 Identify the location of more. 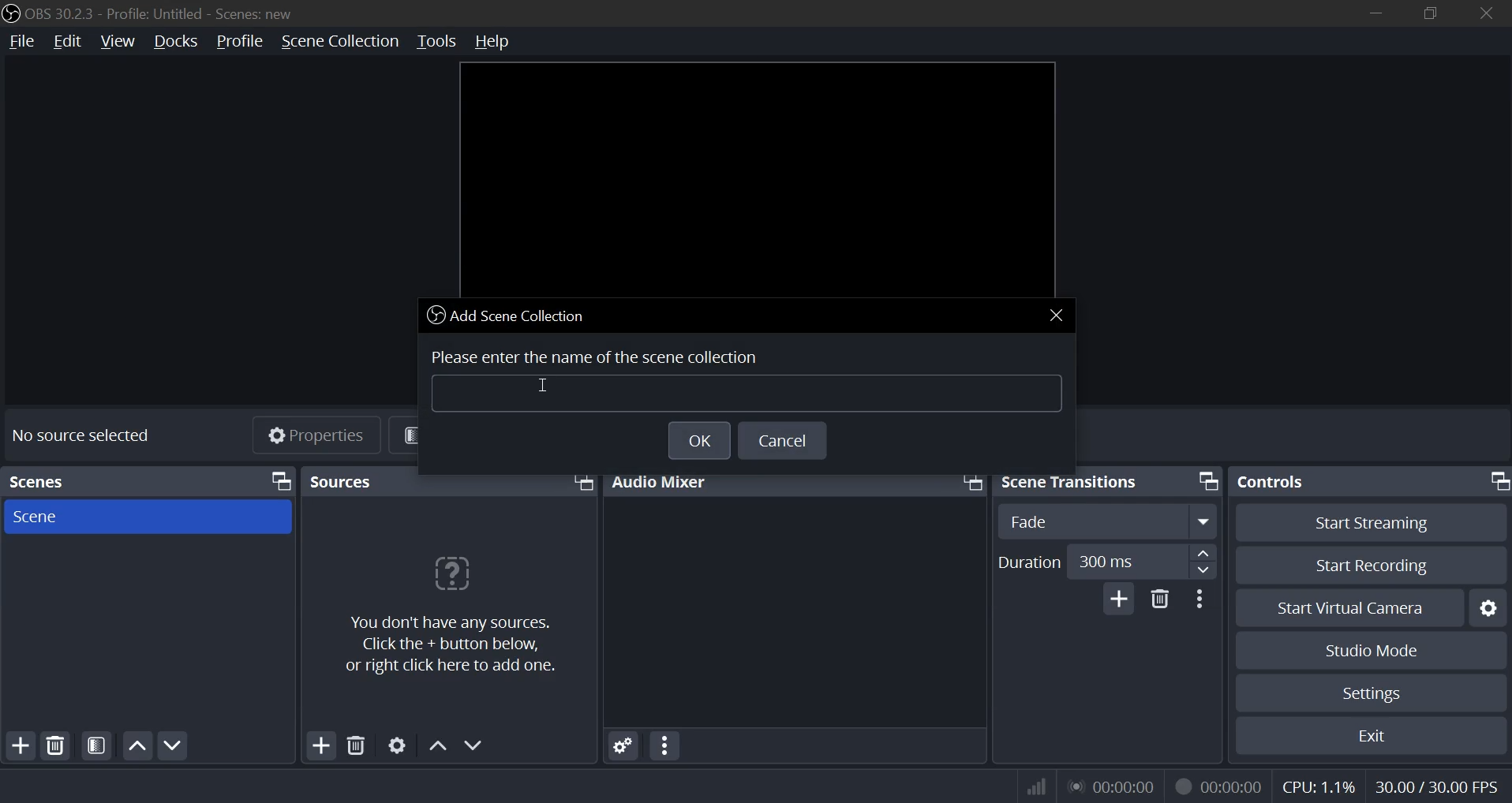
(666, 745).